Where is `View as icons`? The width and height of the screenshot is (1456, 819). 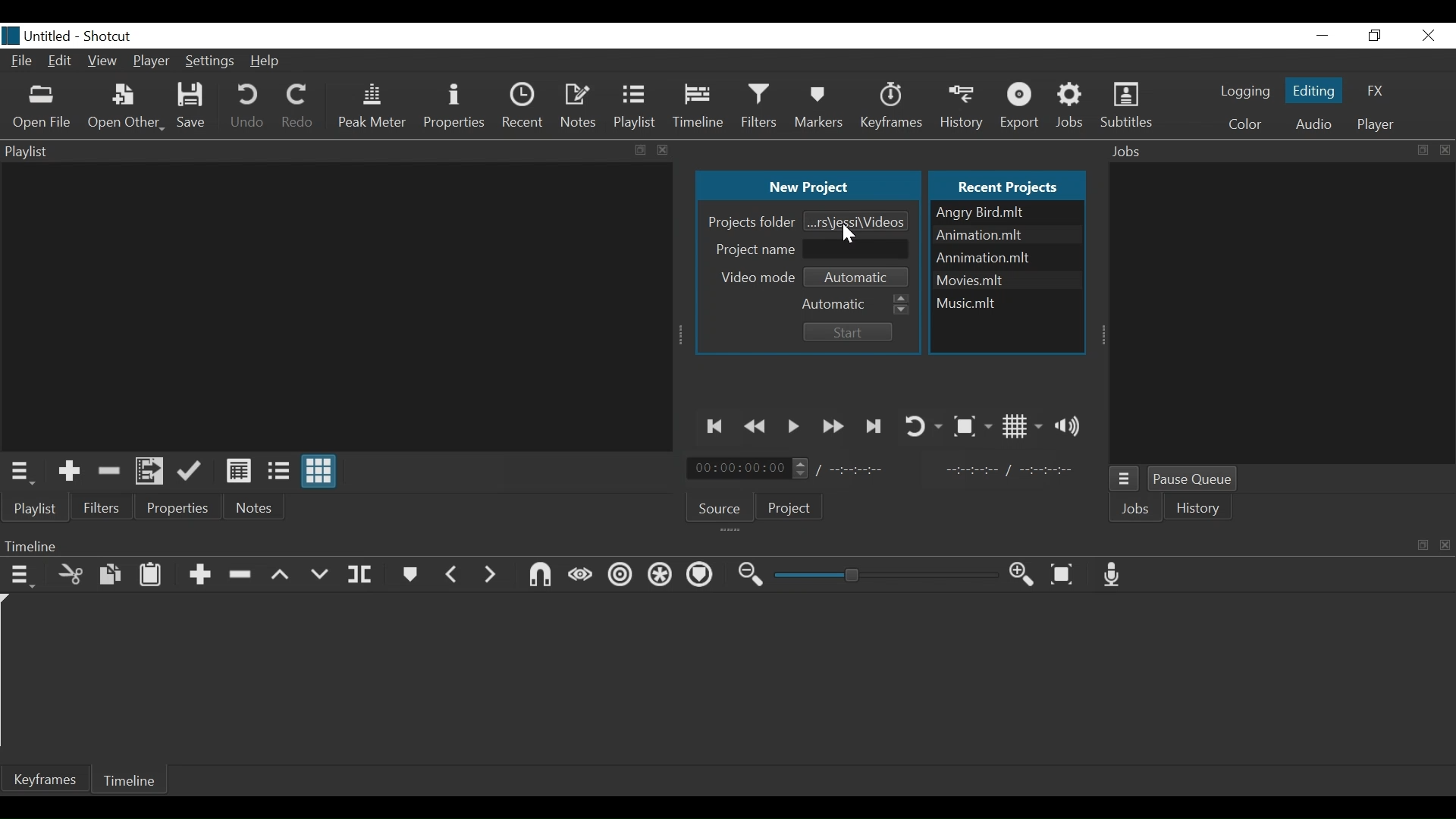 View as icons is located at coordinates (321, 473).